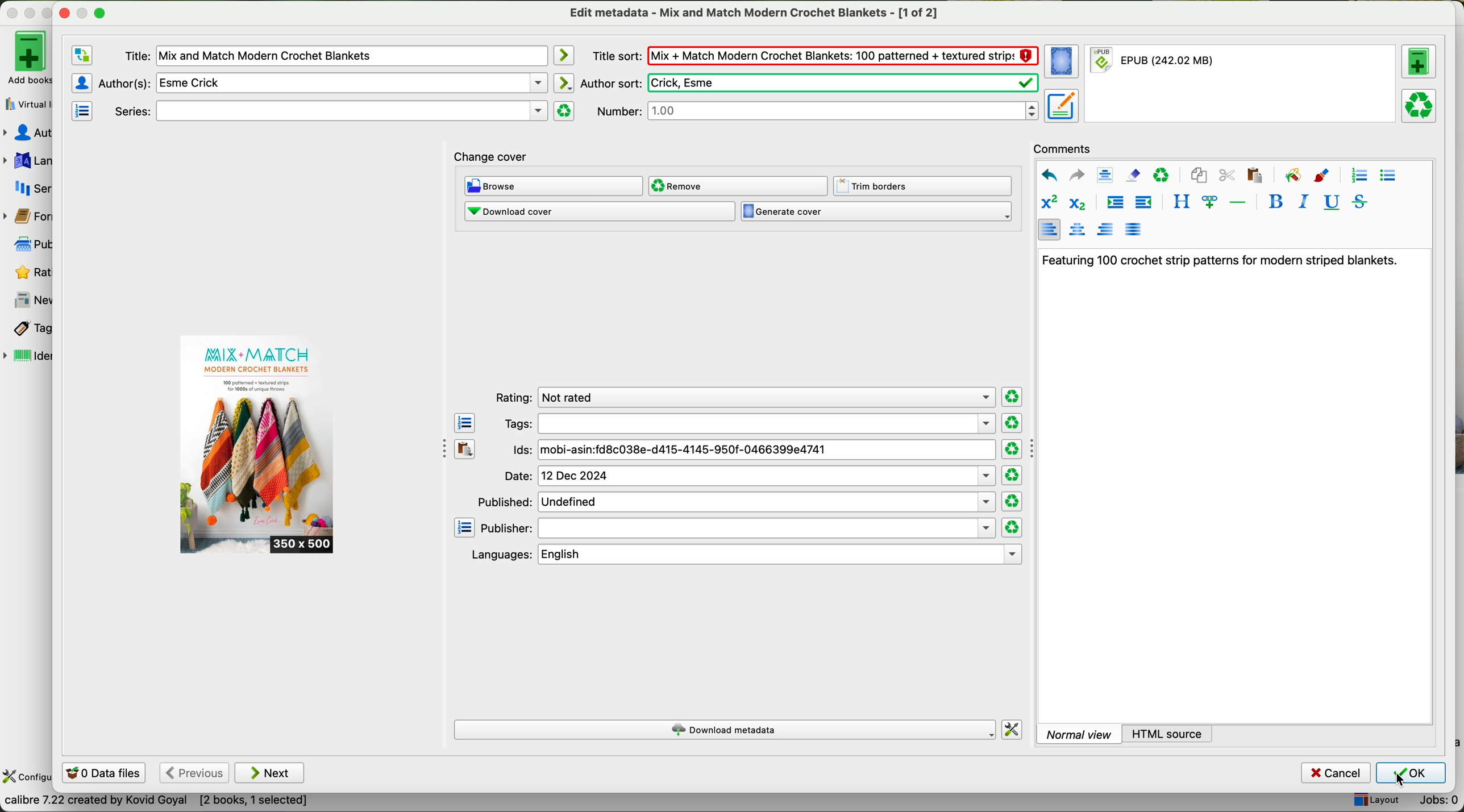 The width and height of the screenshot is (1464, 812). I want to click on disable minimize window, so click(86, 12).